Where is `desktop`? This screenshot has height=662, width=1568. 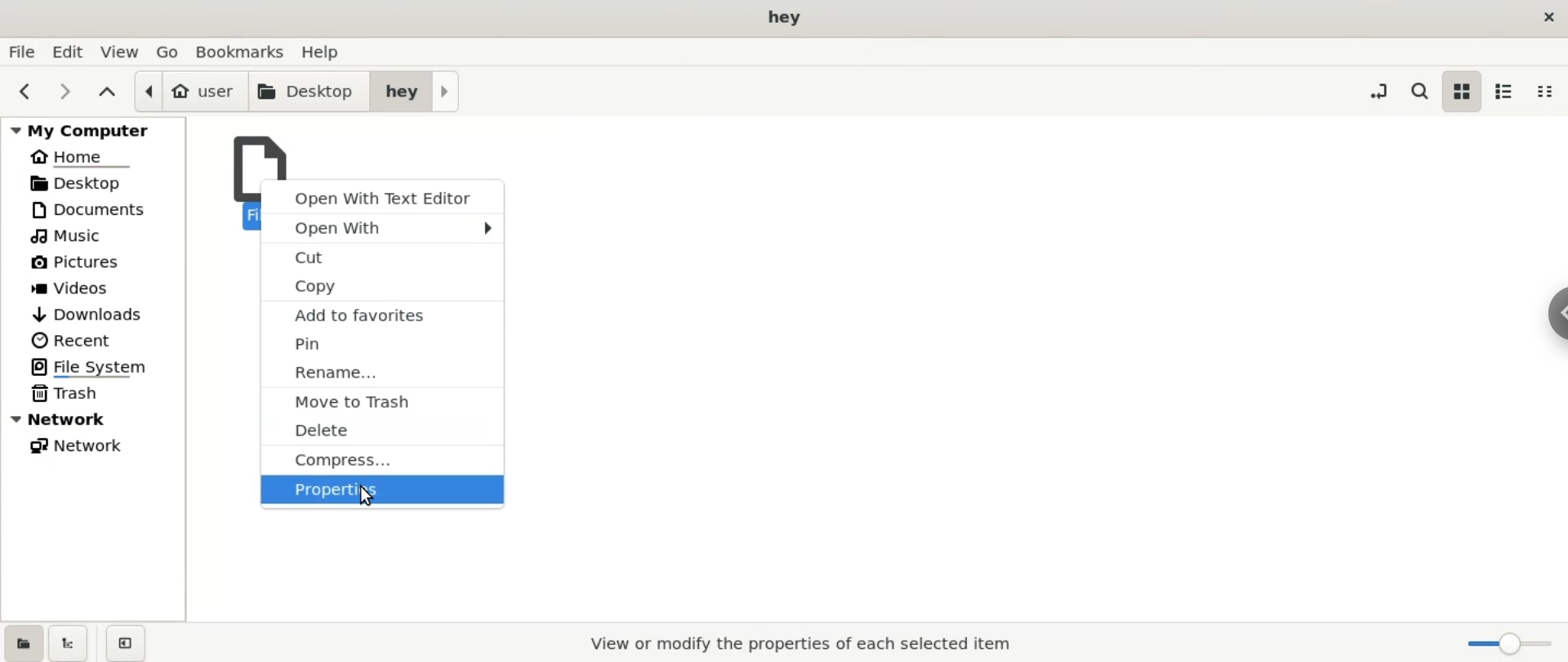 desktop is located at coordinates (791, 17).